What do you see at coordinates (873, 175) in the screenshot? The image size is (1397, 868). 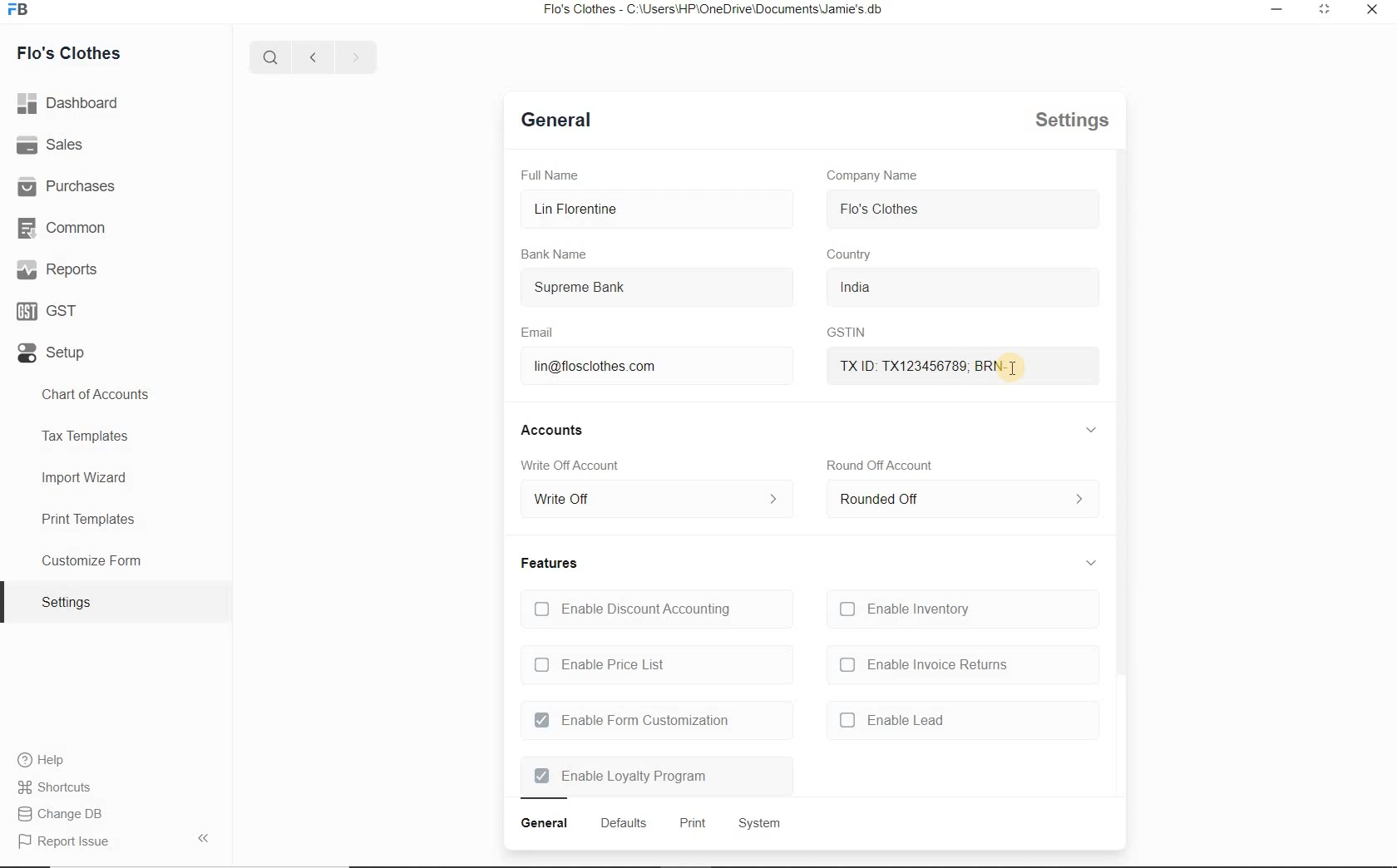 I see `Company Name` at bounding box center [873, 175].